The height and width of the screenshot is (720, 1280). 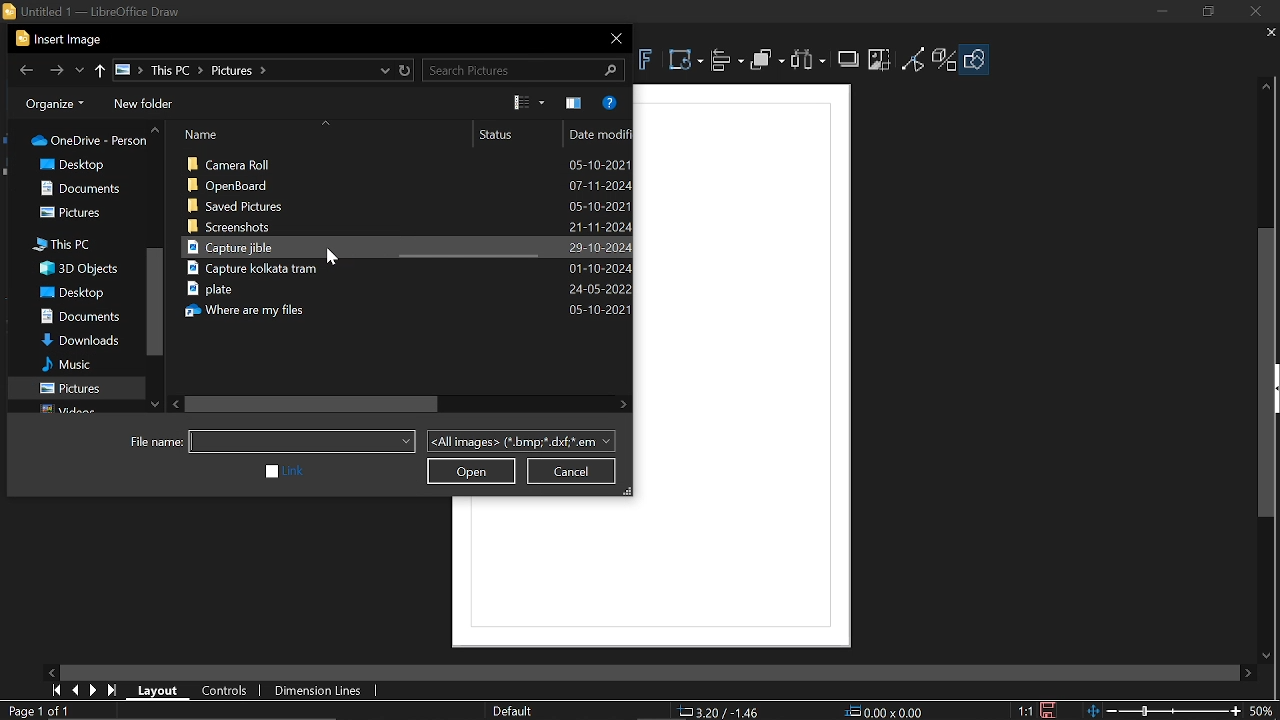 I want to click on Size, so click(x=886, y=712).